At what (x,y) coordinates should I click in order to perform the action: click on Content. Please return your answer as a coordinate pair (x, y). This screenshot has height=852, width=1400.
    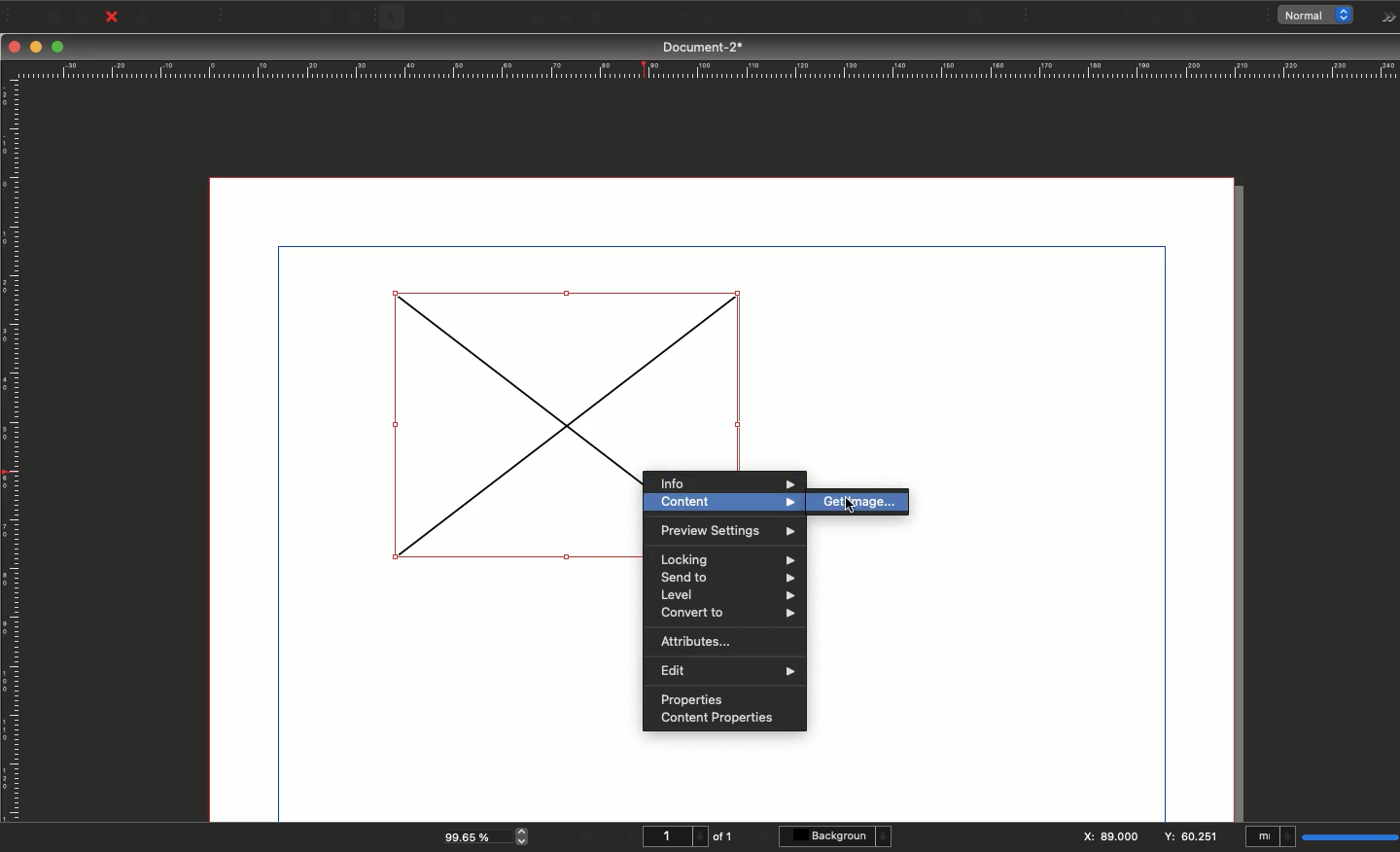
    Looking at the image, I should click on (723, 505).